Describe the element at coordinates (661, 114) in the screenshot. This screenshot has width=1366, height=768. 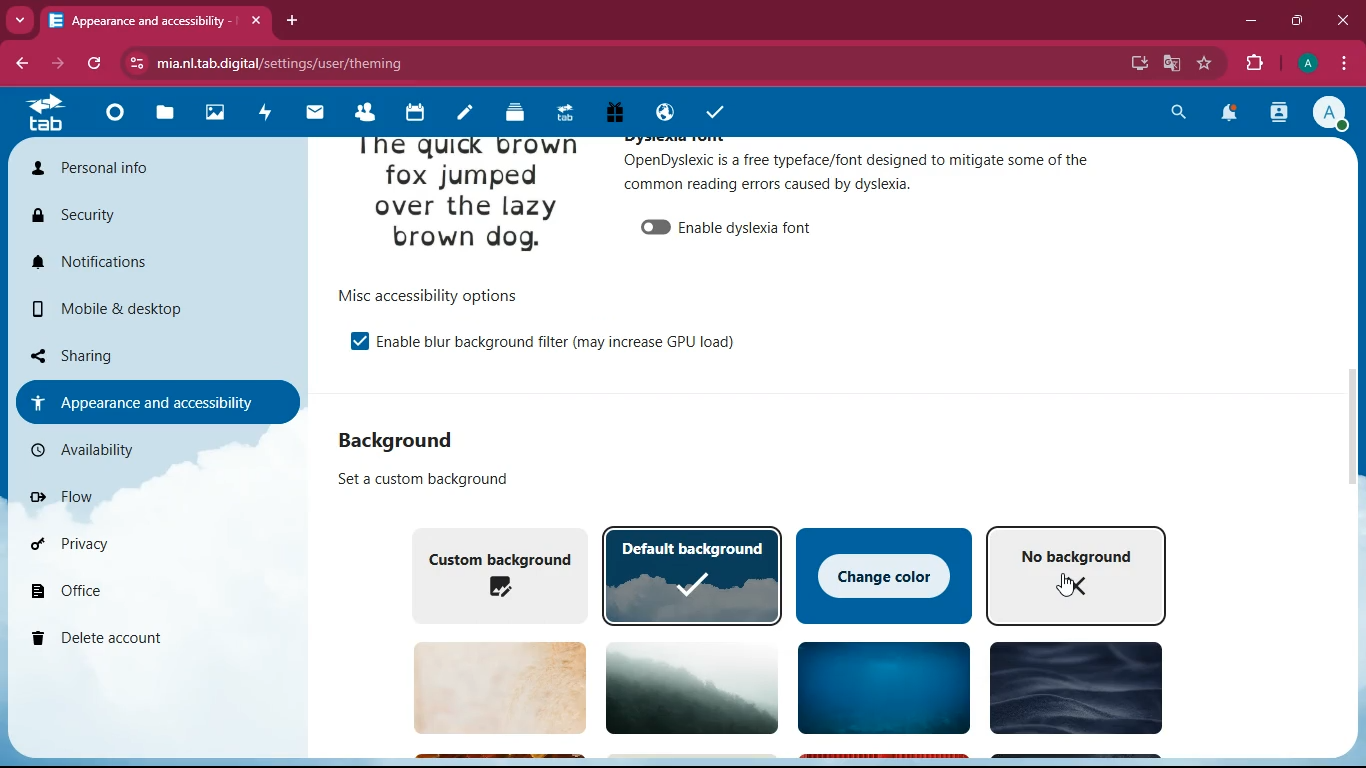
I see `public` at that location.